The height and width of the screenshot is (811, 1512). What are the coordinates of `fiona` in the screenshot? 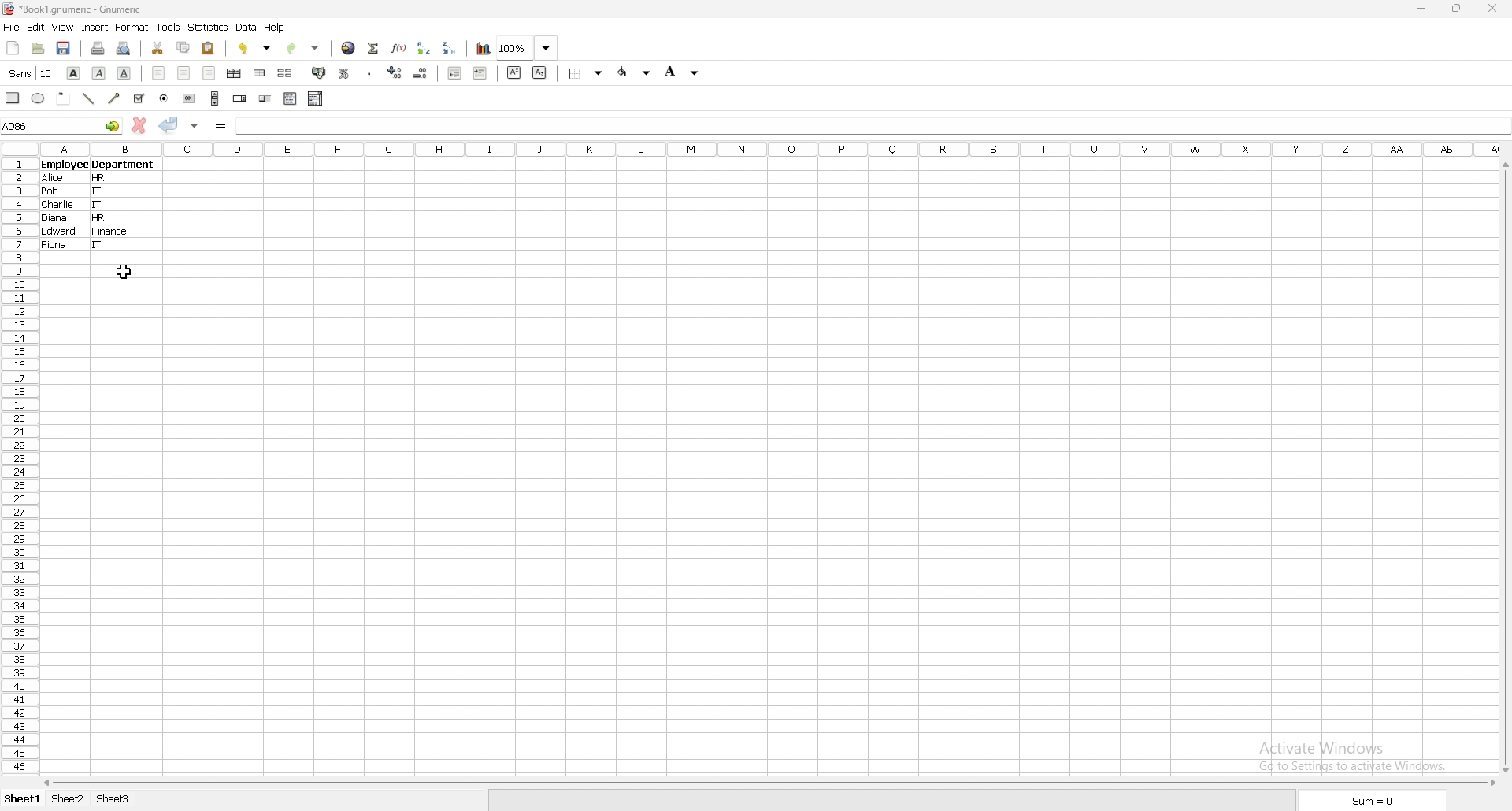 It's located at (55, 246).